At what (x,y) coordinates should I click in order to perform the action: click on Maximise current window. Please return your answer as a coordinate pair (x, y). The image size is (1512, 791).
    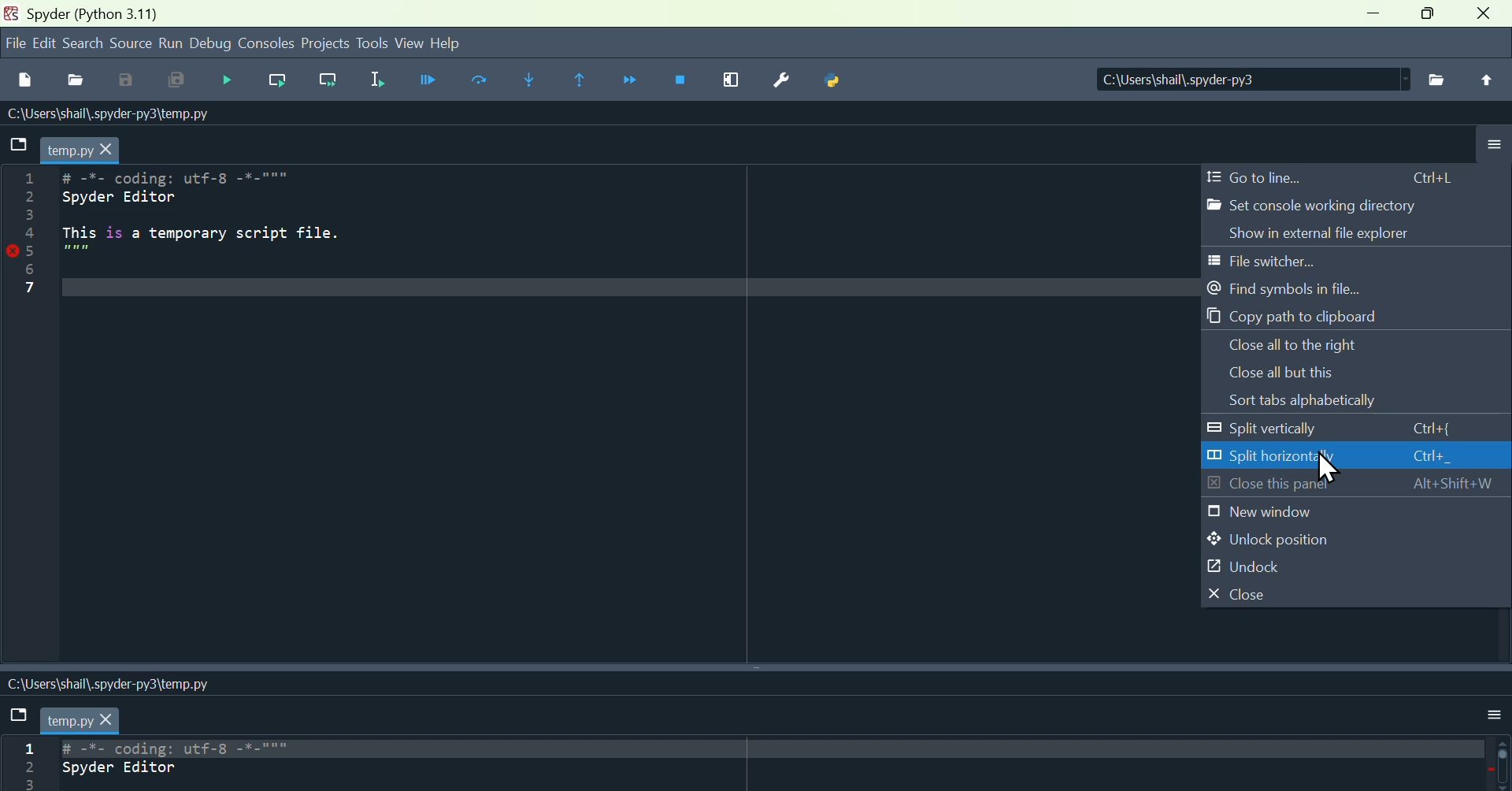
    Looking at the image, I should click on (733, 84).